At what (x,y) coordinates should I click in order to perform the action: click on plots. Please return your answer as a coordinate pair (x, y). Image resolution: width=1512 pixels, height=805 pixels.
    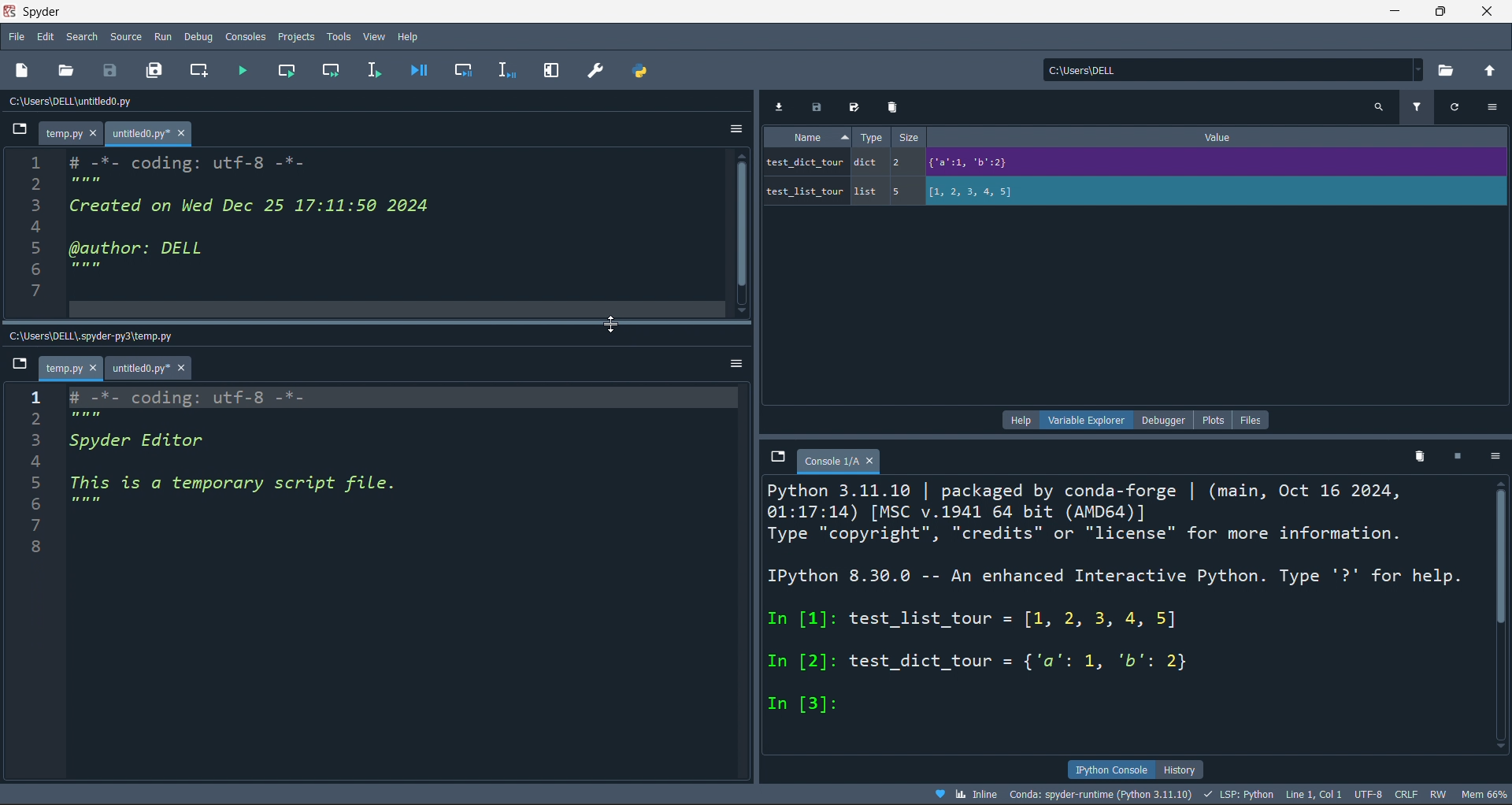
    Looking at the image, I should click on (1212, 418).